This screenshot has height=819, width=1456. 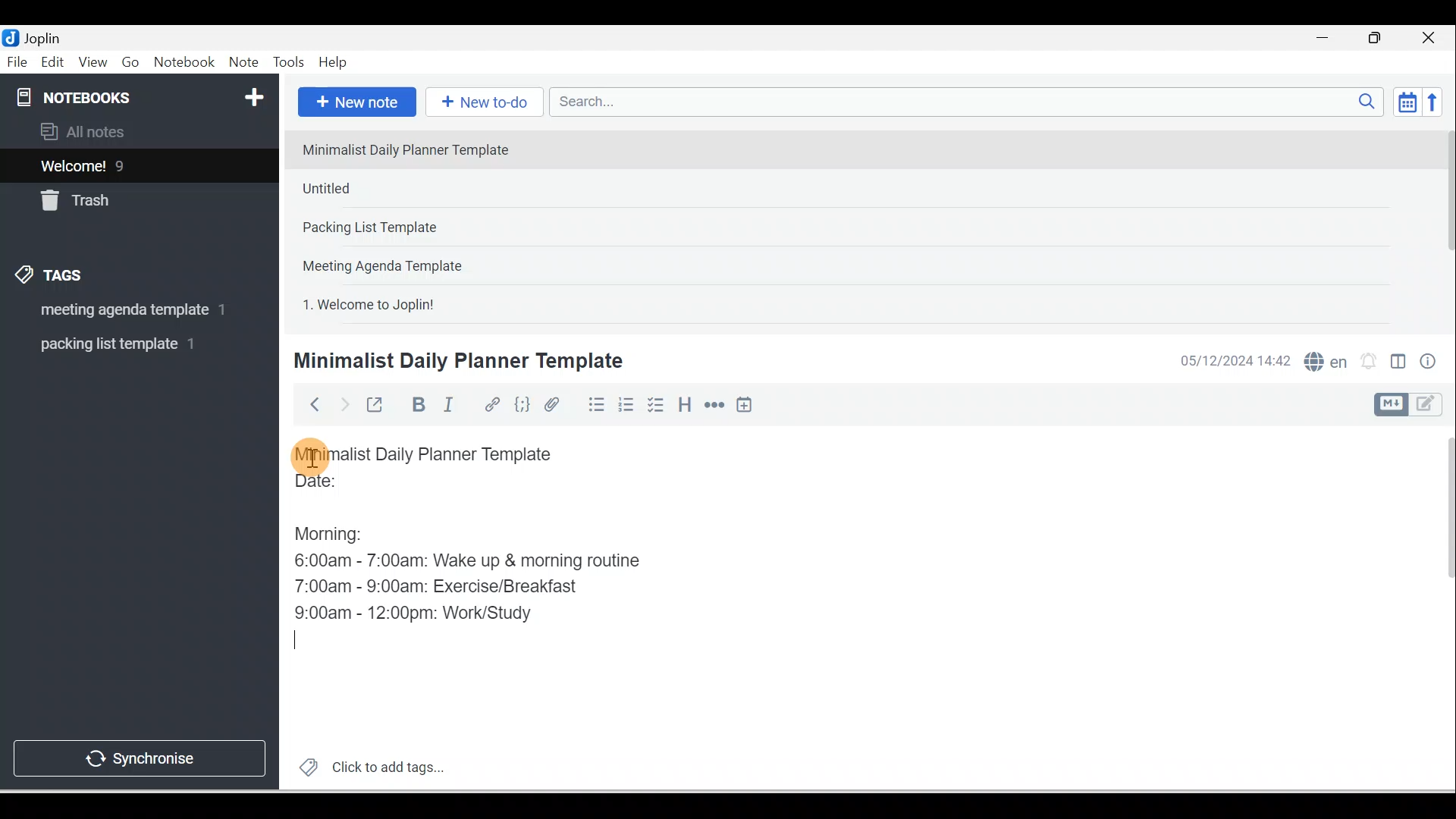 I want to click on Note 4, so click(x=403, y=262).